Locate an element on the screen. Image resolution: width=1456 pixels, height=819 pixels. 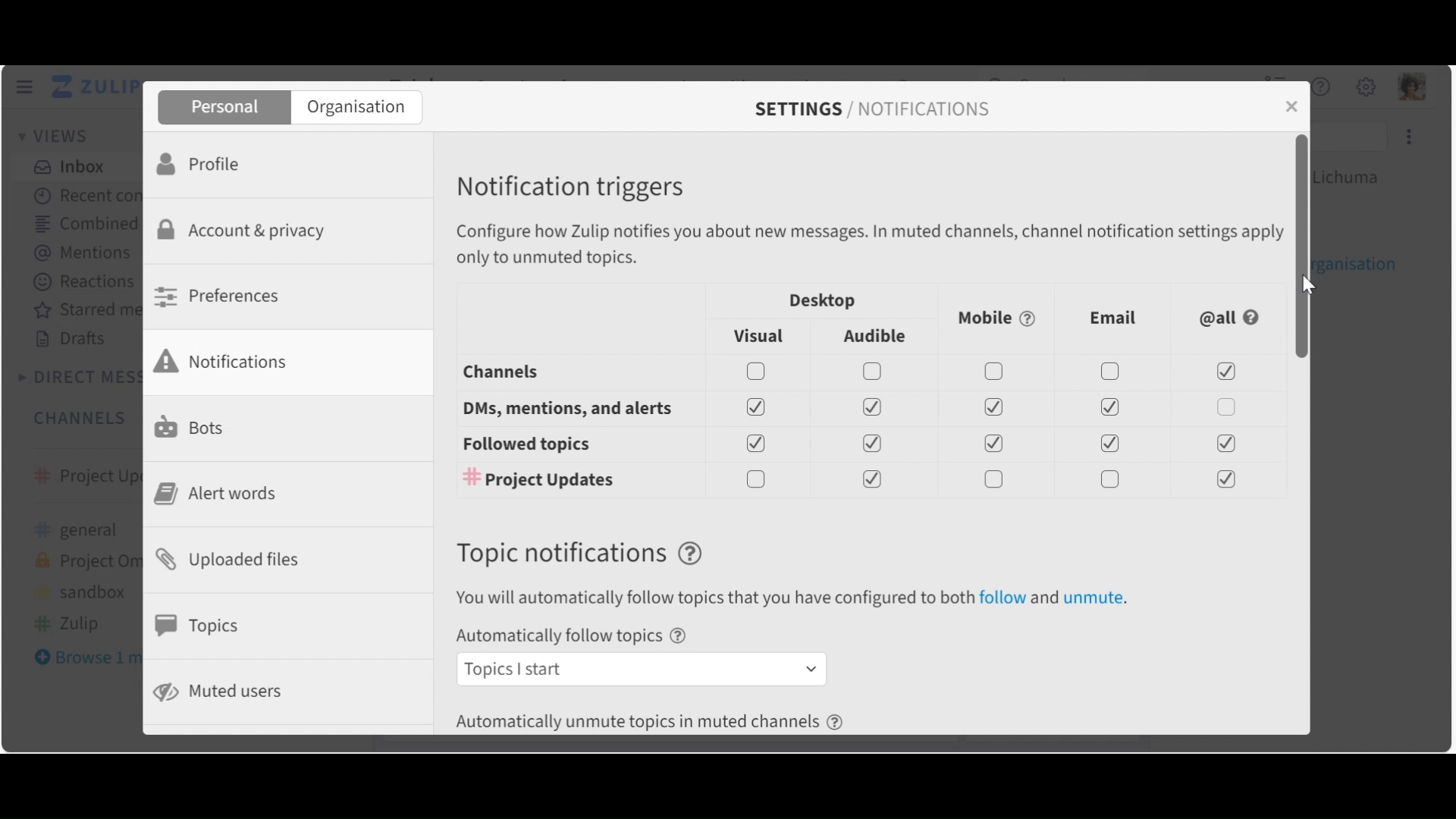
Topic  Notification is located at coordinates (583, 555).